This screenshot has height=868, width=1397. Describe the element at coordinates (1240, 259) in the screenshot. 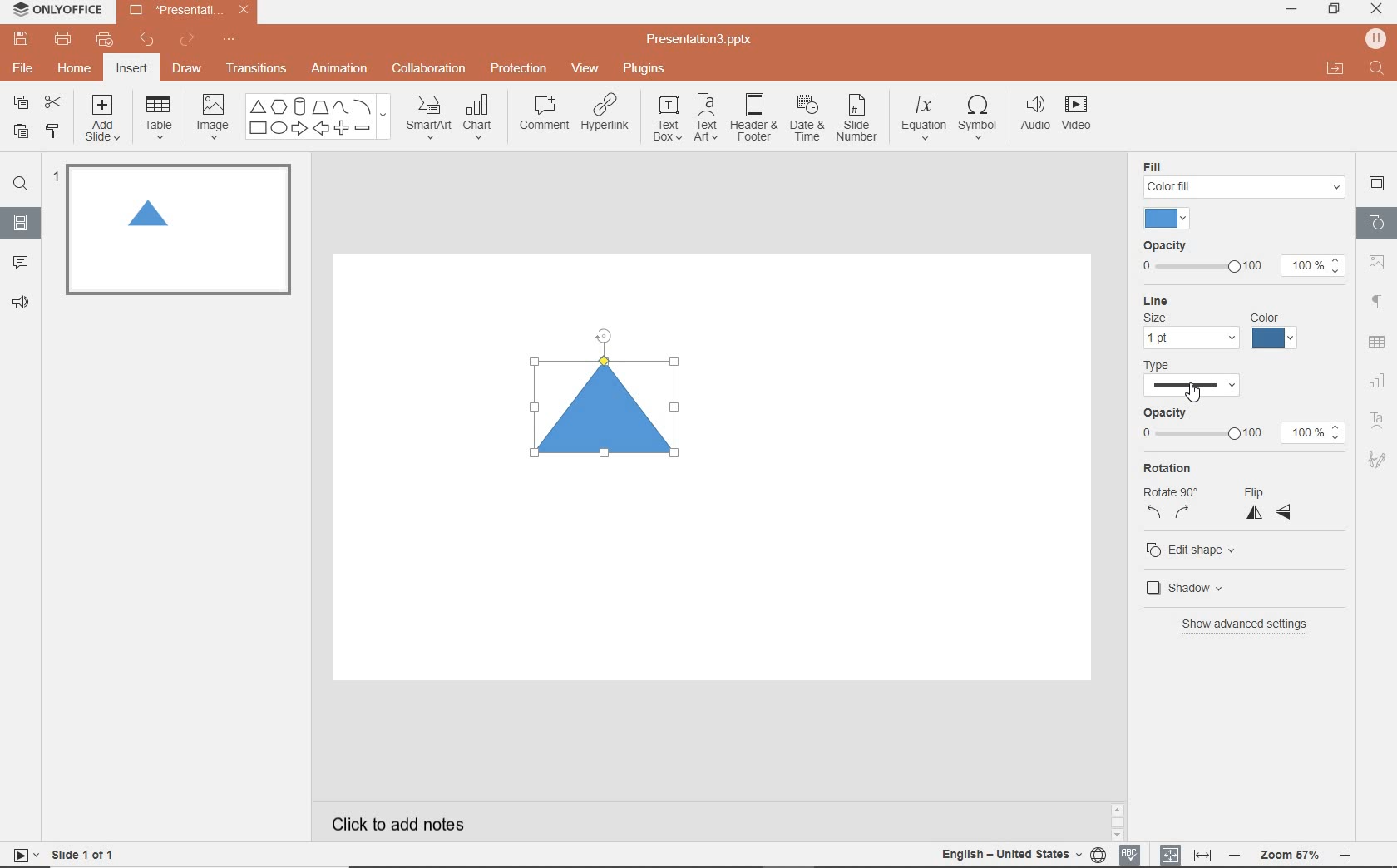

I see `opacity` at that location.